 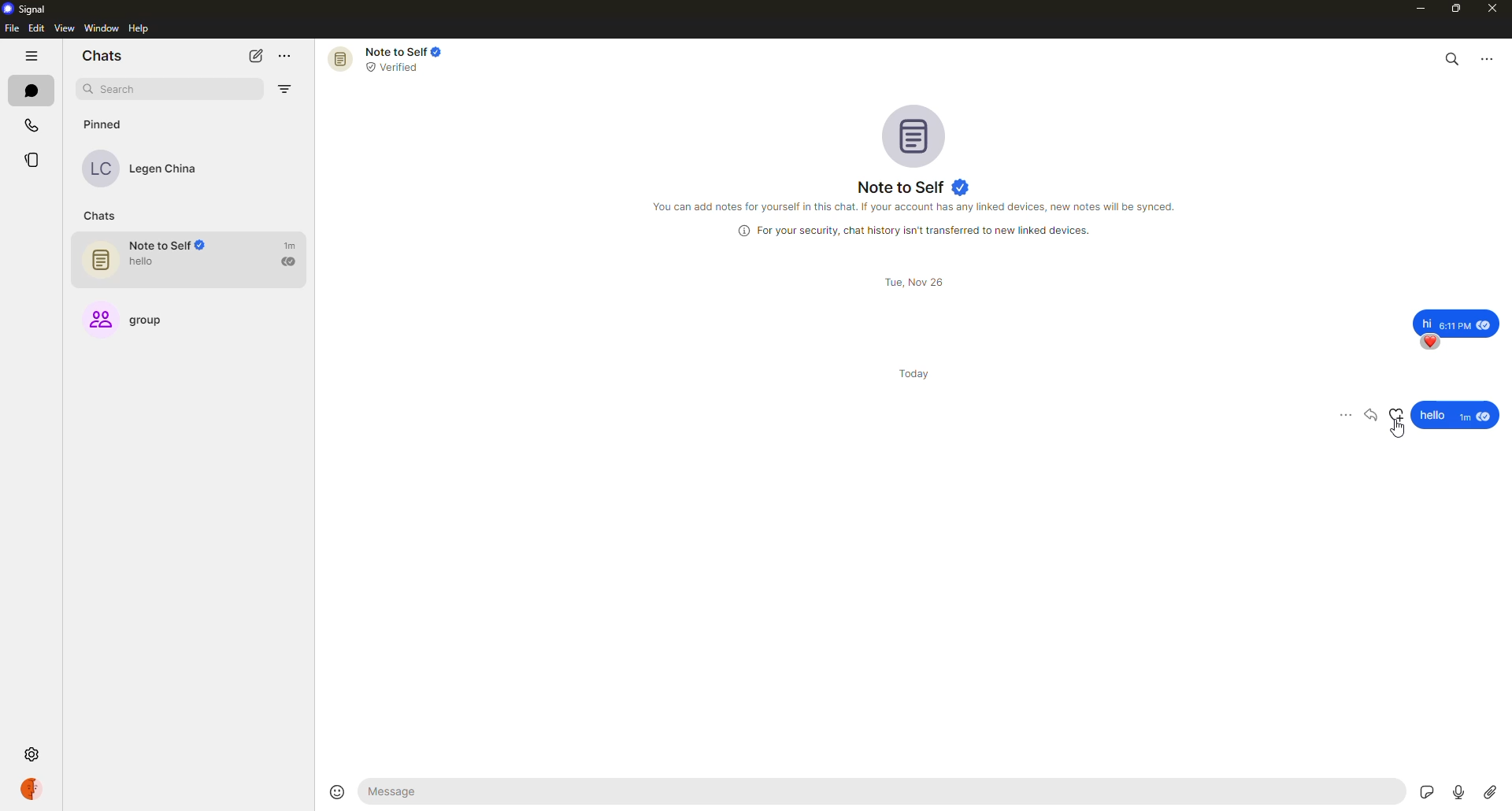 What do you see at coordinates (11, 29) in the screenshot?
I see `file` at bounding box center [11, 29].